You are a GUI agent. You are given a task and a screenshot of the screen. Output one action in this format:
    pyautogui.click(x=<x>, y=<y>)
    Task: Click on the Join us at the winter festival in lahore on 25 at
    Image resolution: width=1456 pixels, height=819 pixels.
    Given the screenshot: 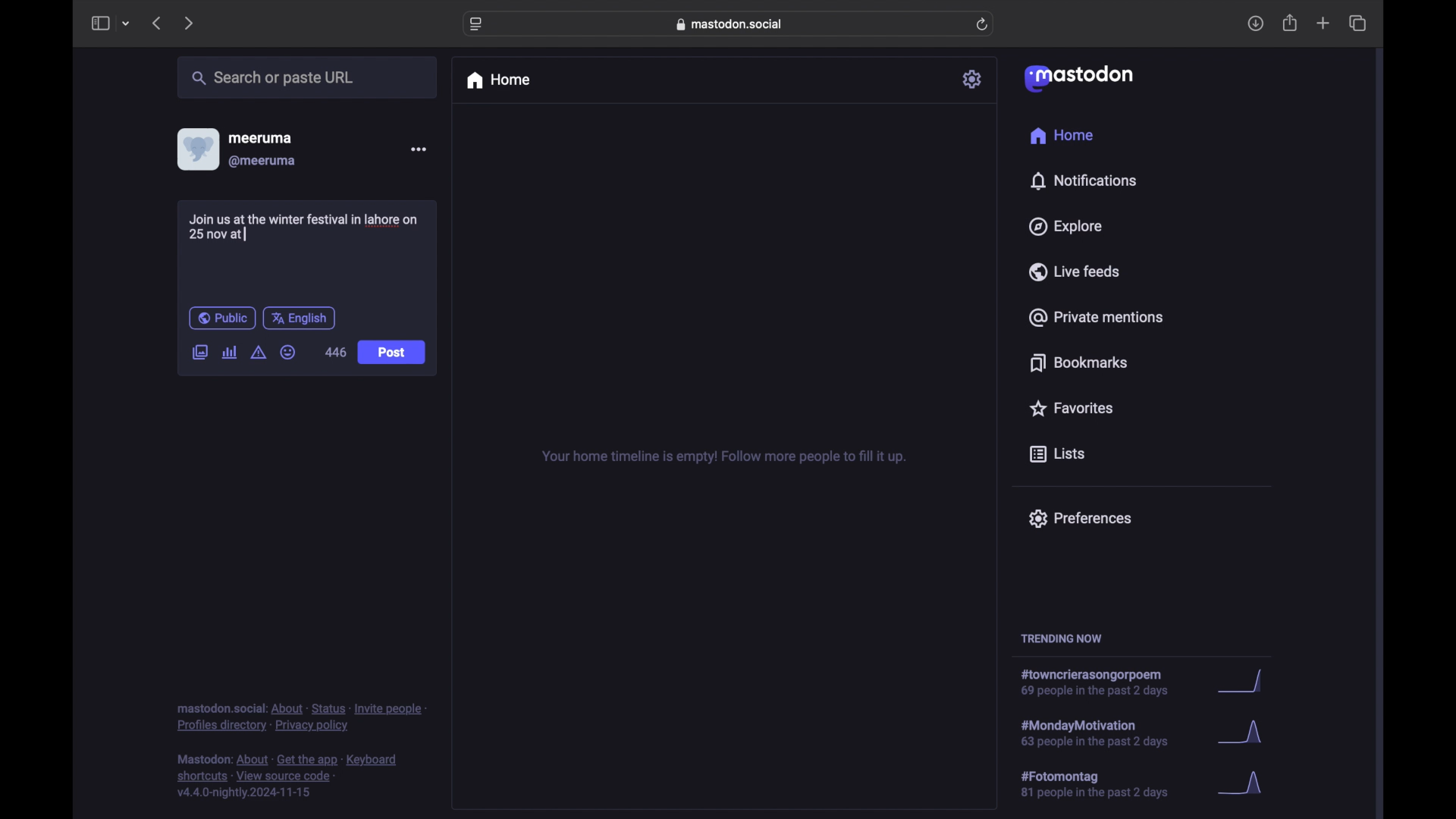 What is the action you would take?
    pyautogui.click(x=303, y=227)
    